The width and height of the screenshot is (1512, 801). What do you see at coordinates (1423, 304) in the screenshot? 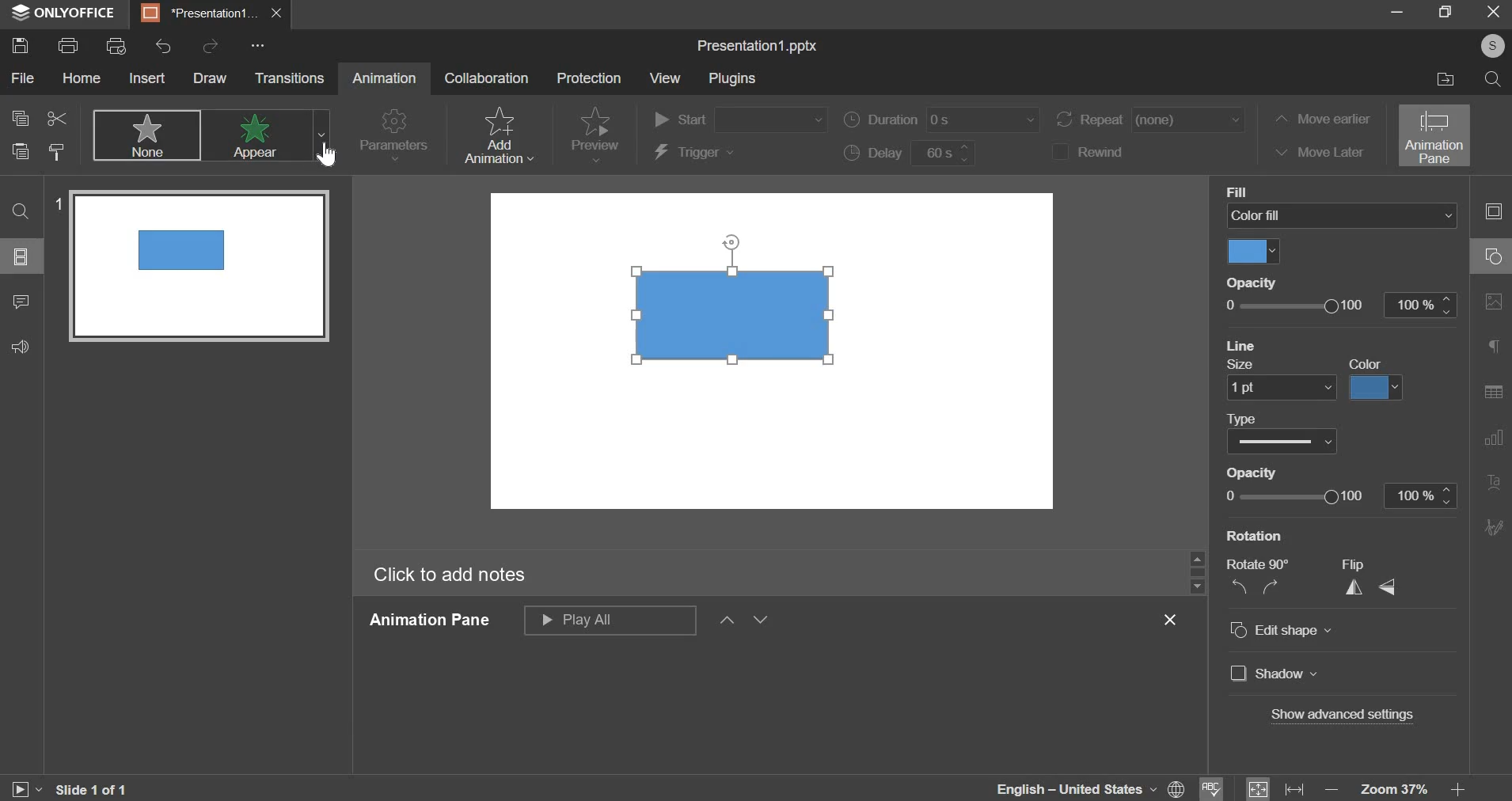
I see `100%` at bounding box center [1423, 304].